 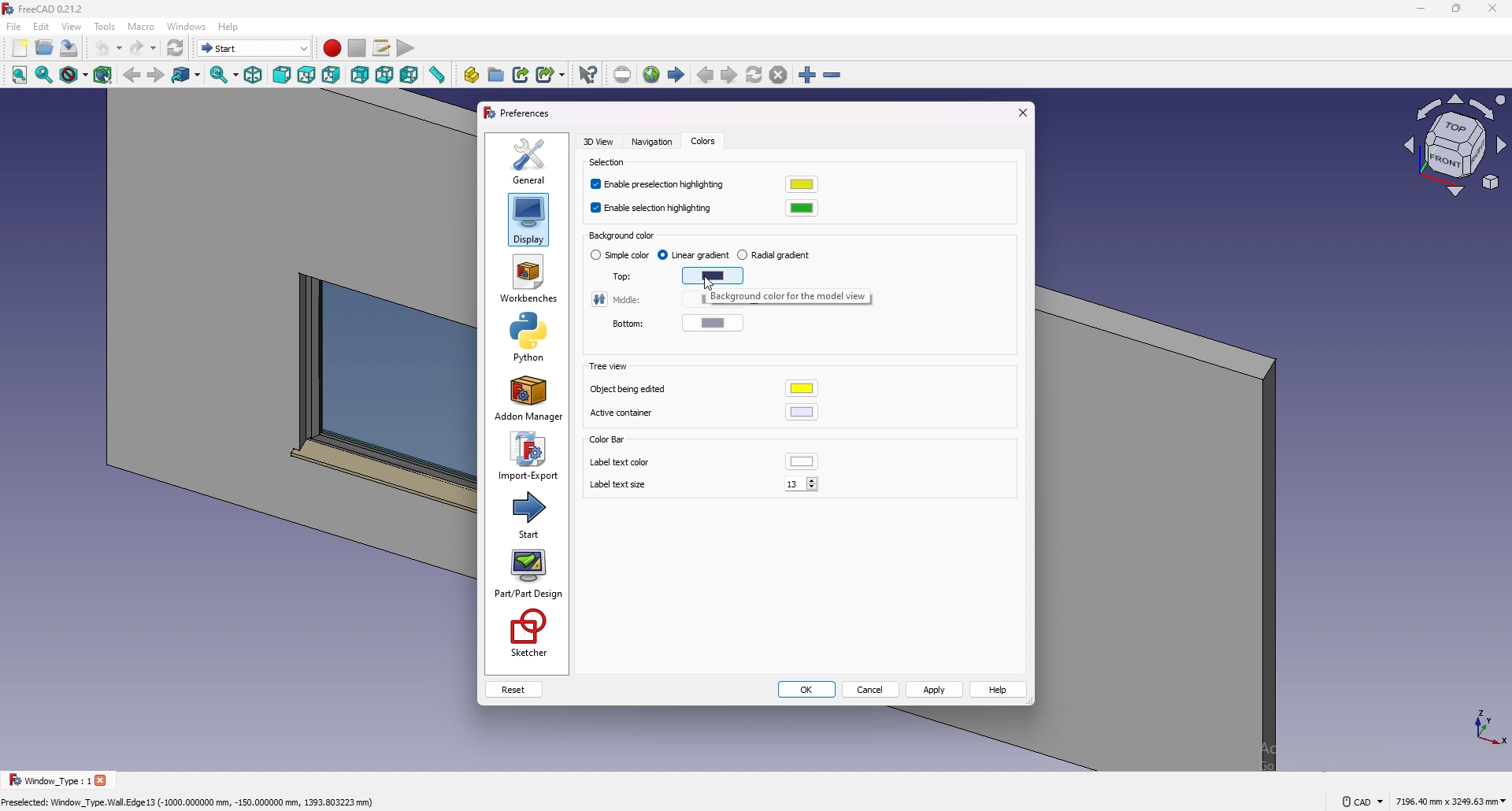 What do you see at coordinates (695, 255) in the screenshot?
I see `linear gradient` at bounding box center [695, 255].